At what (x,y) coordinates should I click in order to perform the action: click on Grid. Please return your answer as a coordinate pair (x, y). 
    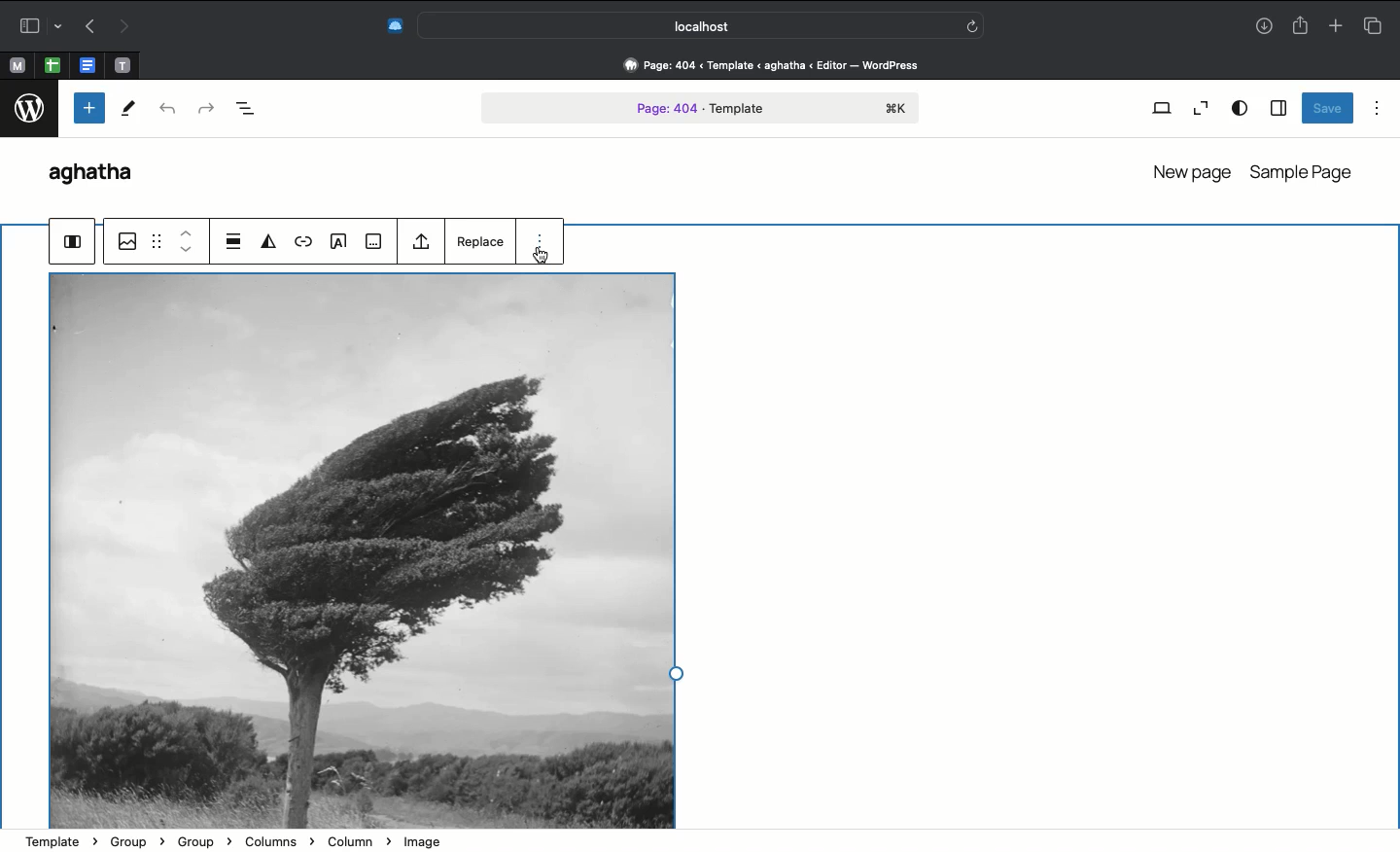
    Looking at the image, I should click on (157, 240).